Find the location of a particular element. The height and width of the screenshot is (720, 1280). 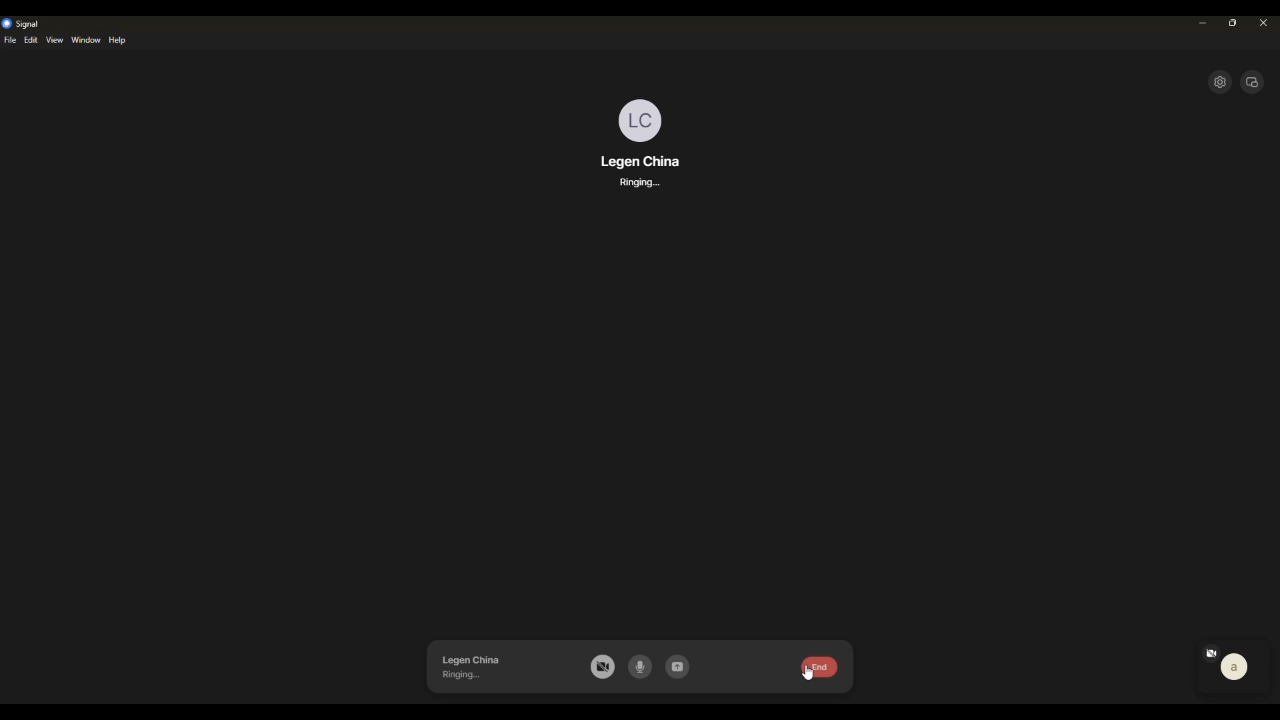

close is located at coordinates (1263, 22).